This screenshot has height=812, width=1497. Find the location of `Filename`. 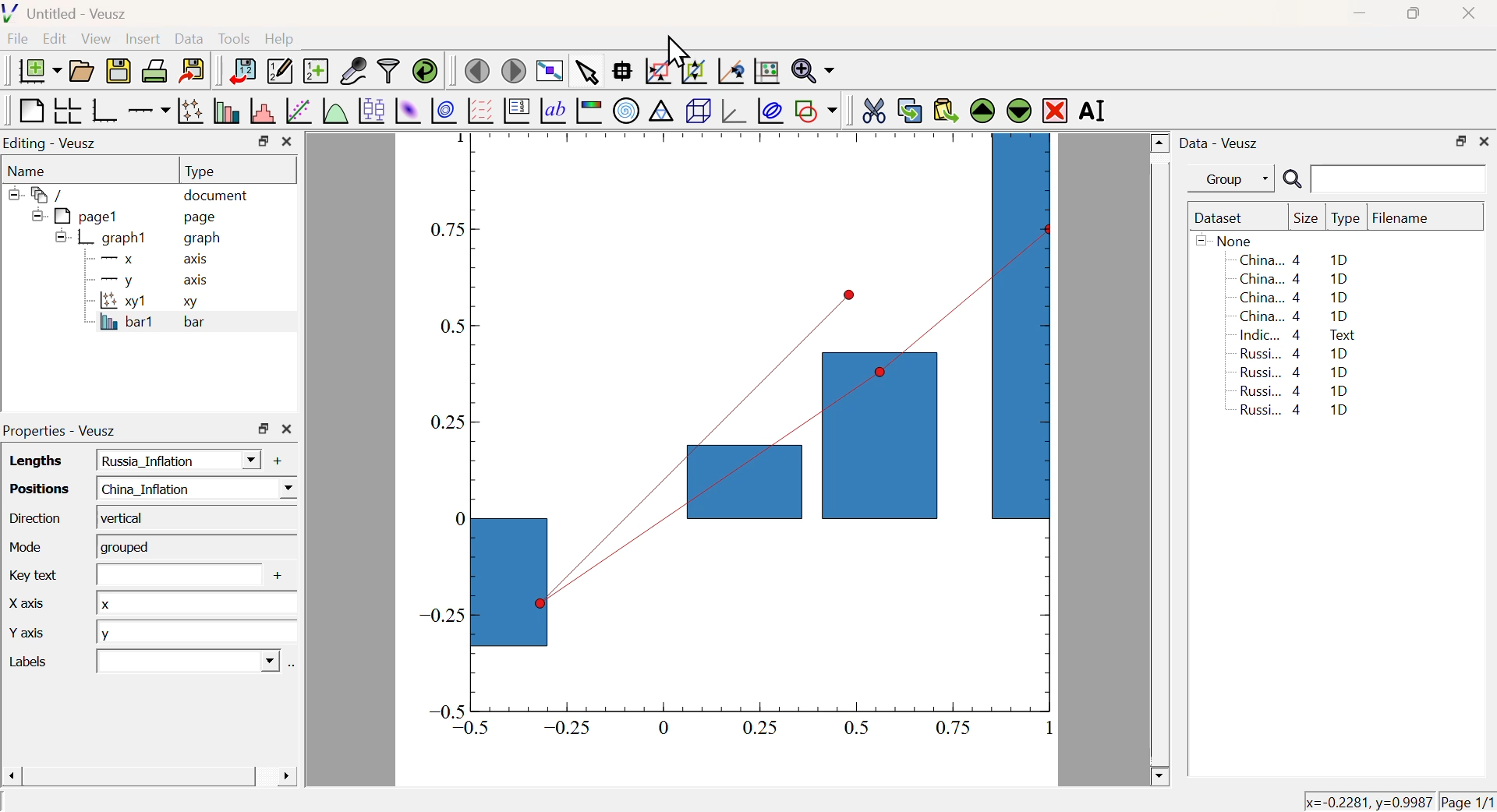

Filename is located at coordinates (1408, 219).